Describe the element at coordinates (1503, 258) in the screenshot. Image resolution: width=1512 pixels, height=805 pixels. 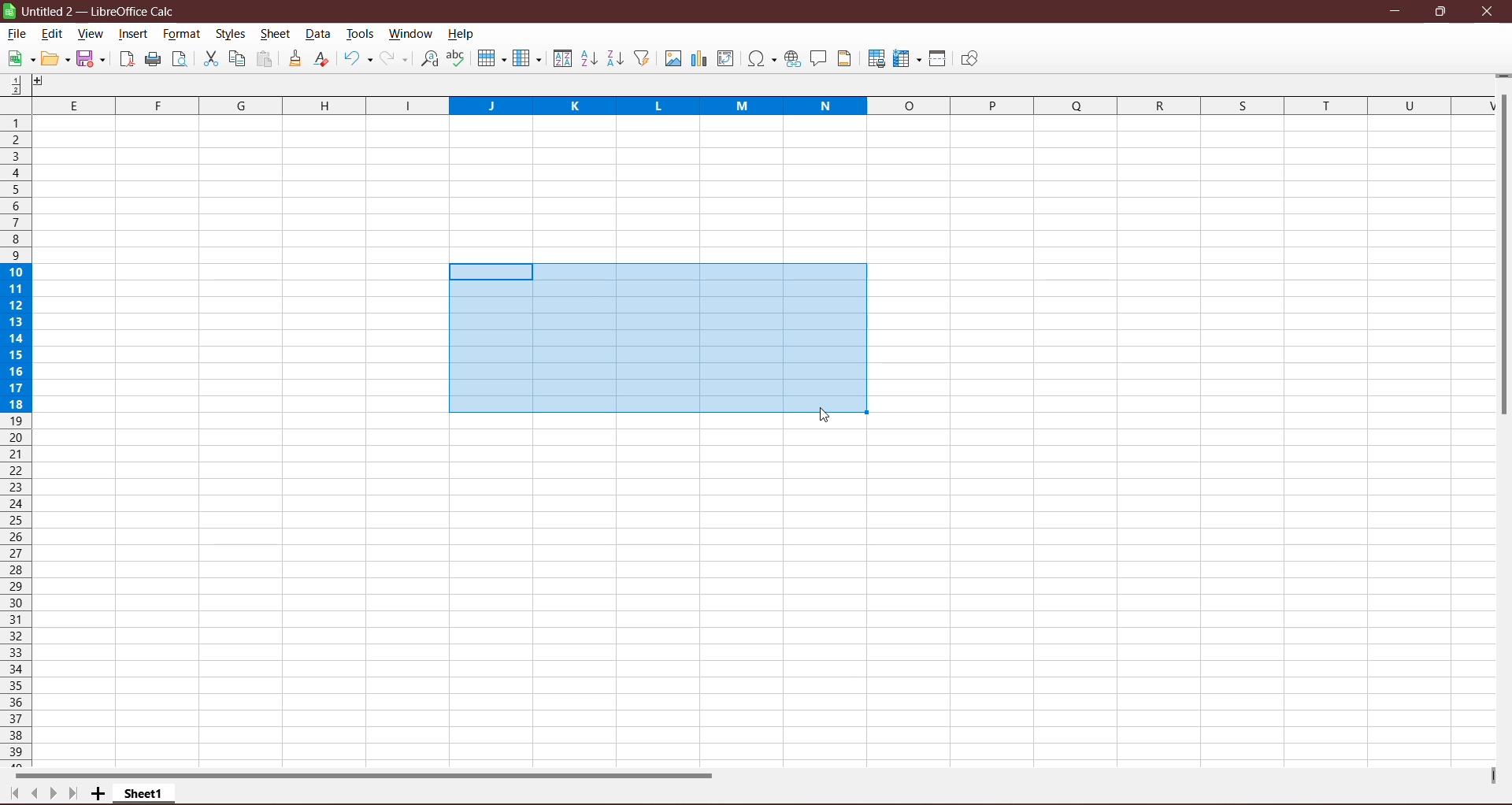
I see `Vertical Scroll Bar` at that location.